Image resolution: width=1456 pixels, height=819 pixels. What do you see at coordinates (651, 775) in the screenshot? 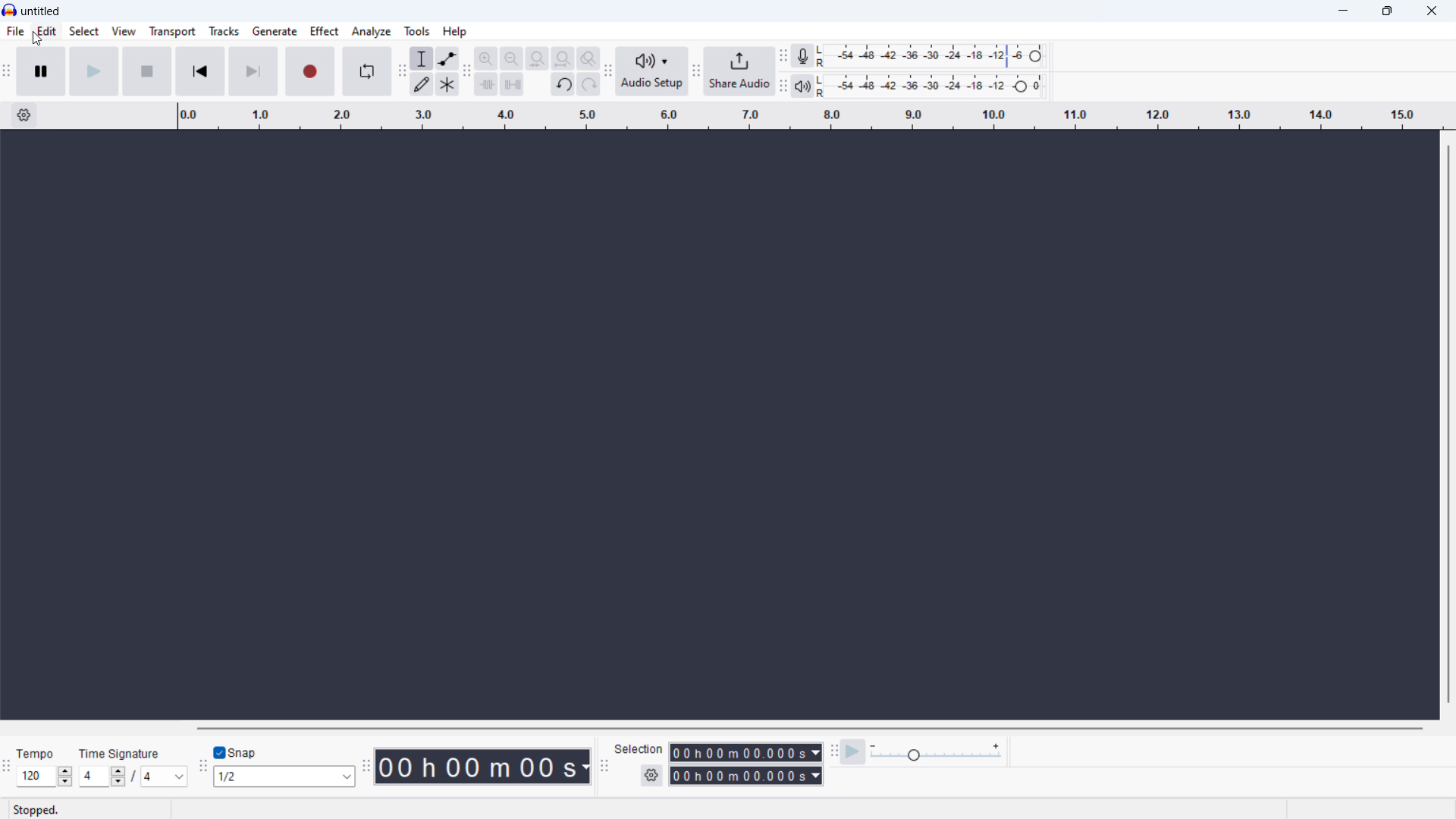
I see `selection settings` at bounding box center [651, 775].